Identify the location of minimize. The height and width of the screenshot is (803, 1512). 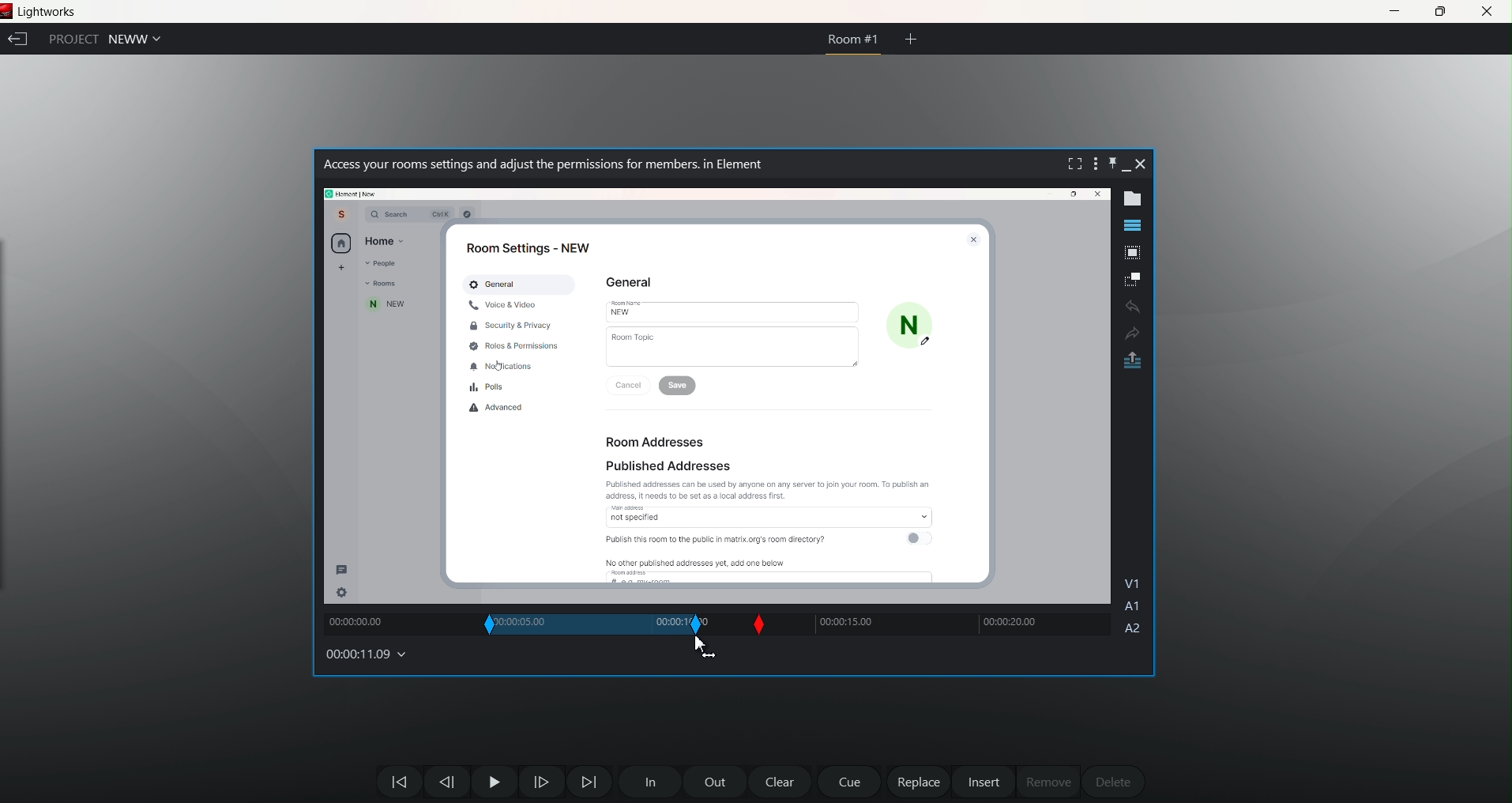
(1395, 10).